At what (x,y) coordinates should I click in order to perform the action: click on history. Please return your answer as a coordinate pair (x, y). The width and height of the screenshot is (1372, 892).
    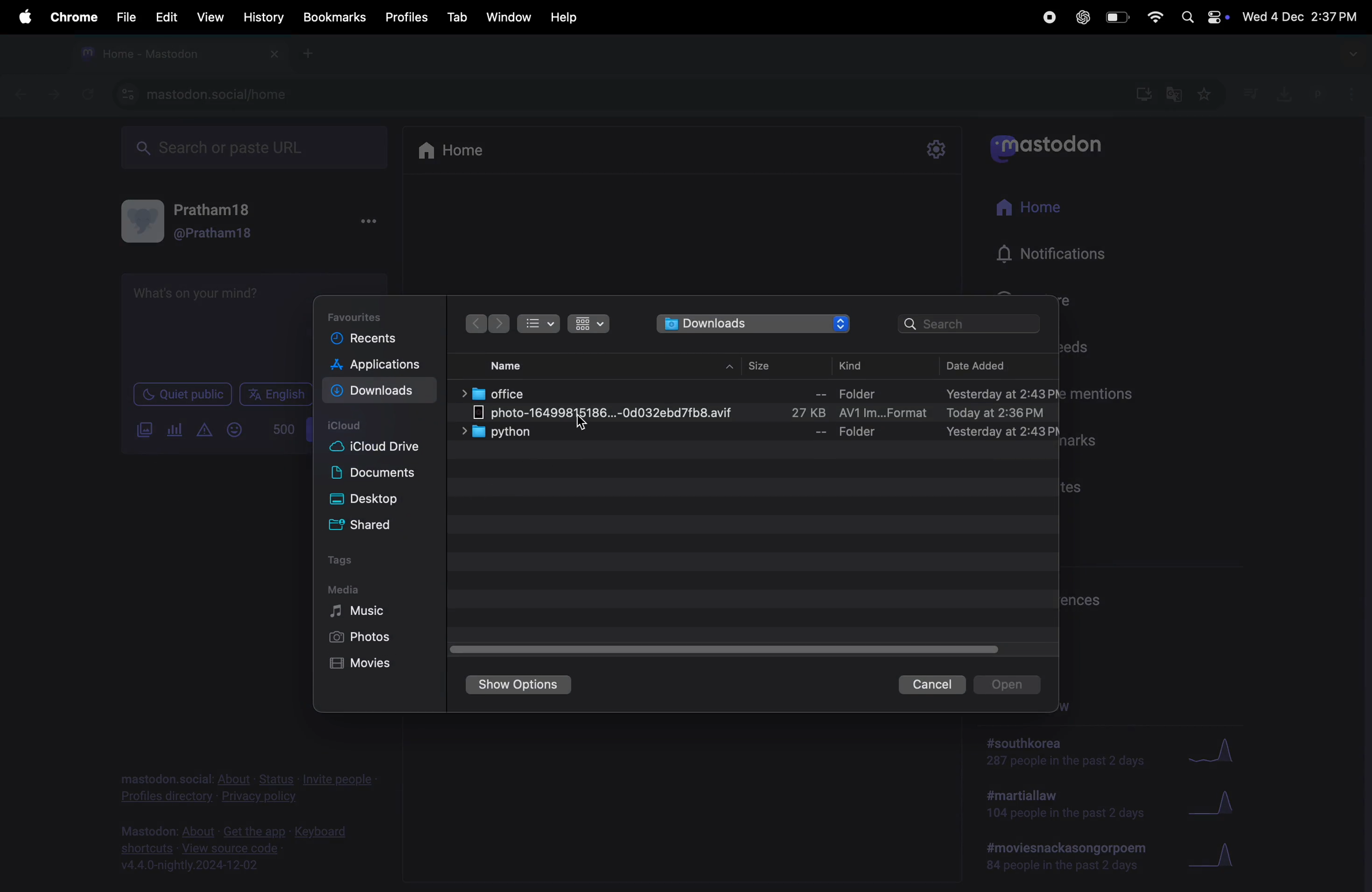
    Looking at the image, I should click on (265, 17).